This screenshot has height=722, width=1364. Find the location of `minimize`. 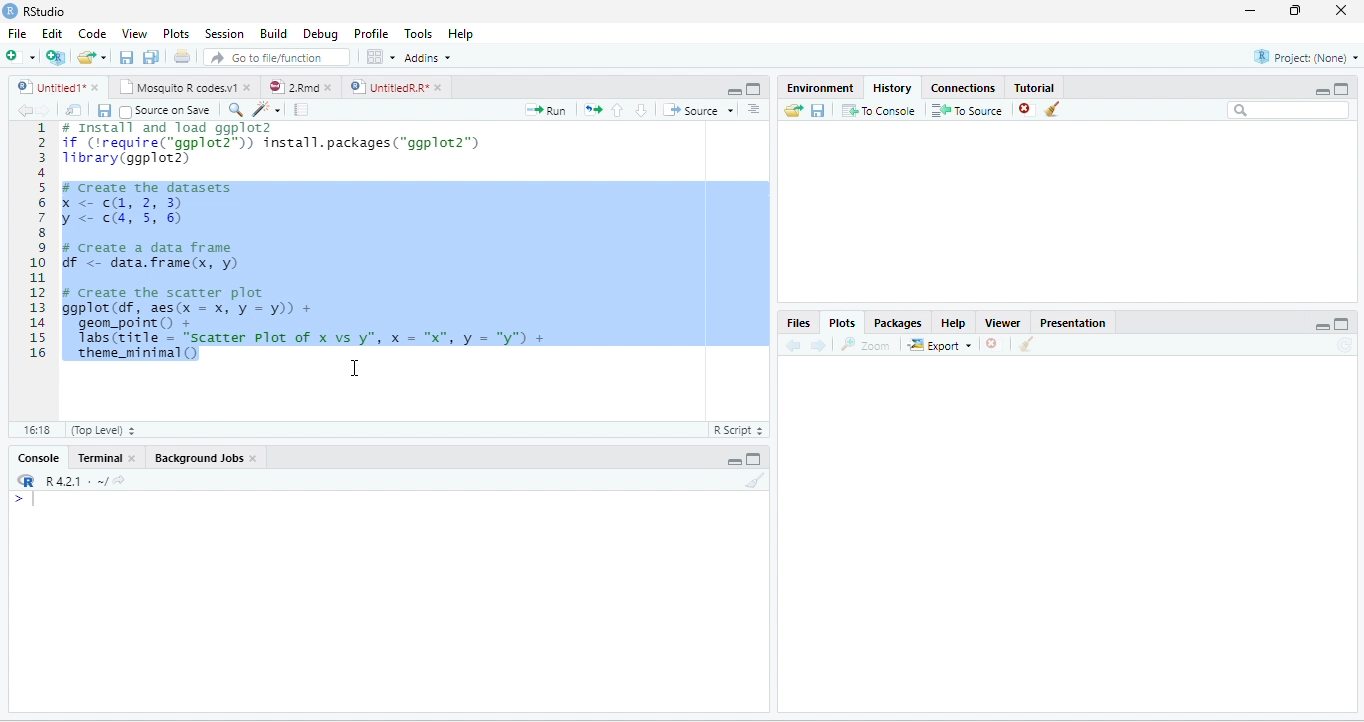

minimize is located at coordinates (1251, 11).